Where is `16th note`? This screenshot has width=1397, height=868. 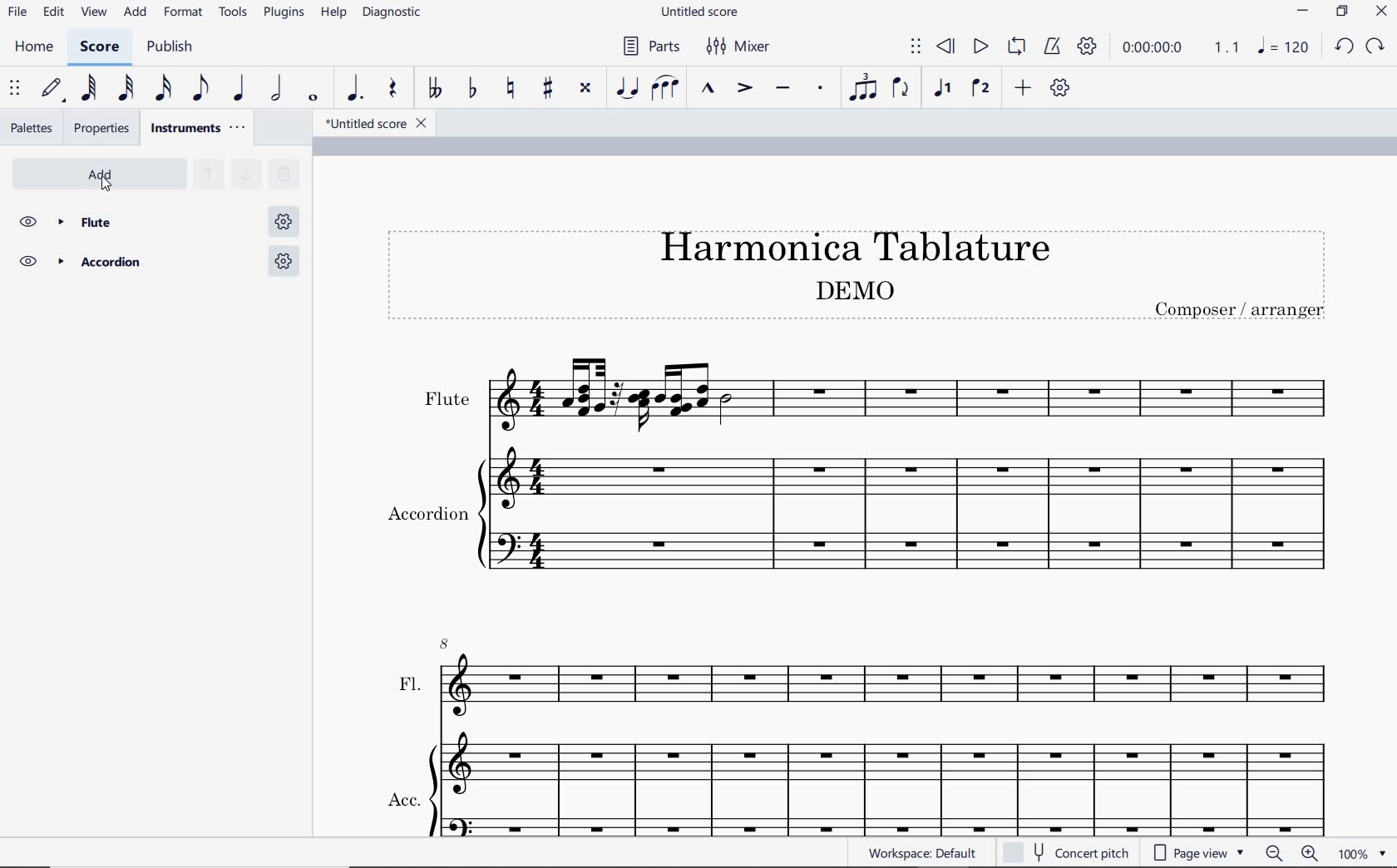
16th note is located at coordinates (164, 88).